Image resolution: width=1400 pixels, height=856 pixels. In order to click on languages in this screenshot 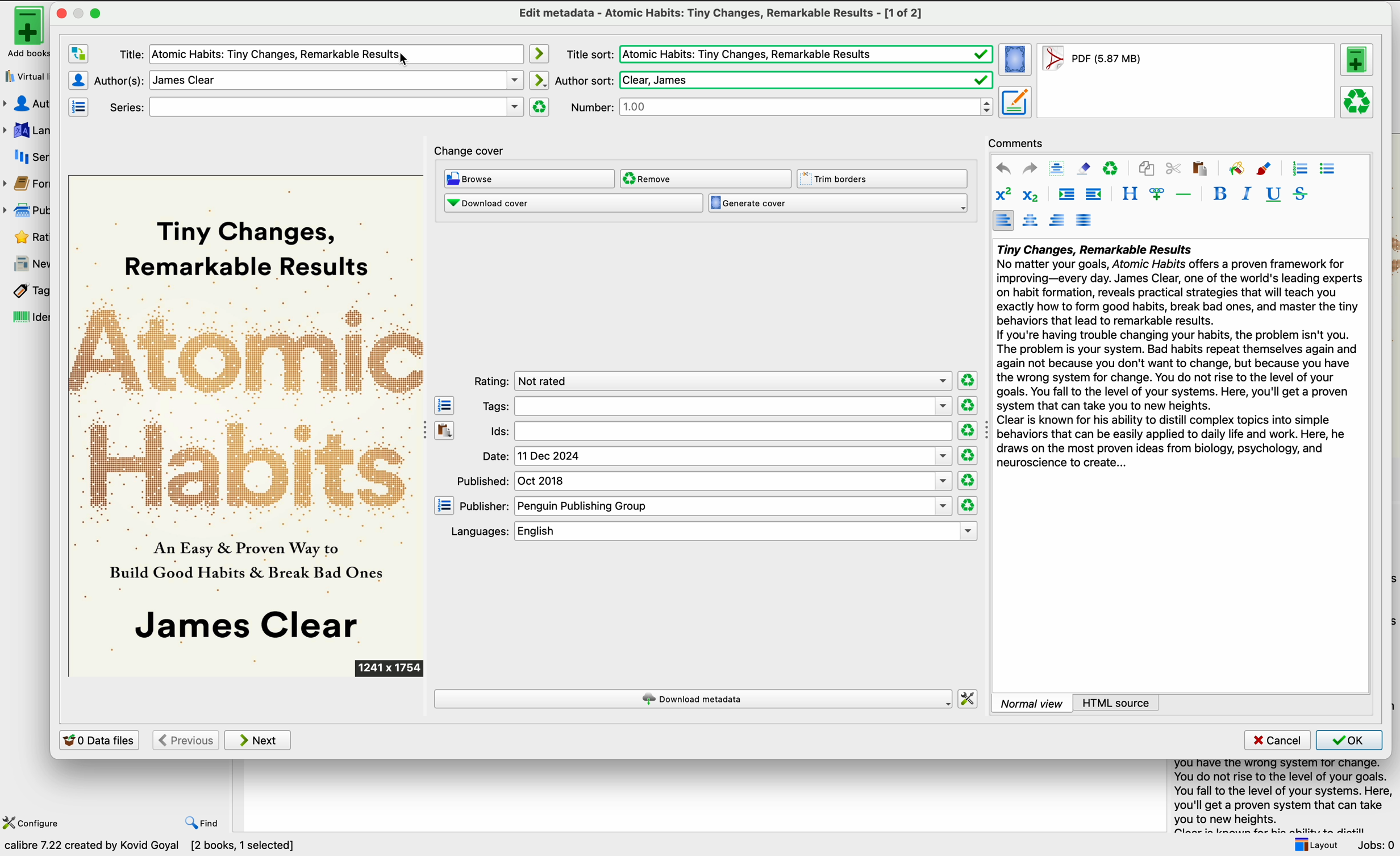, I will do `click(26, 129)`.